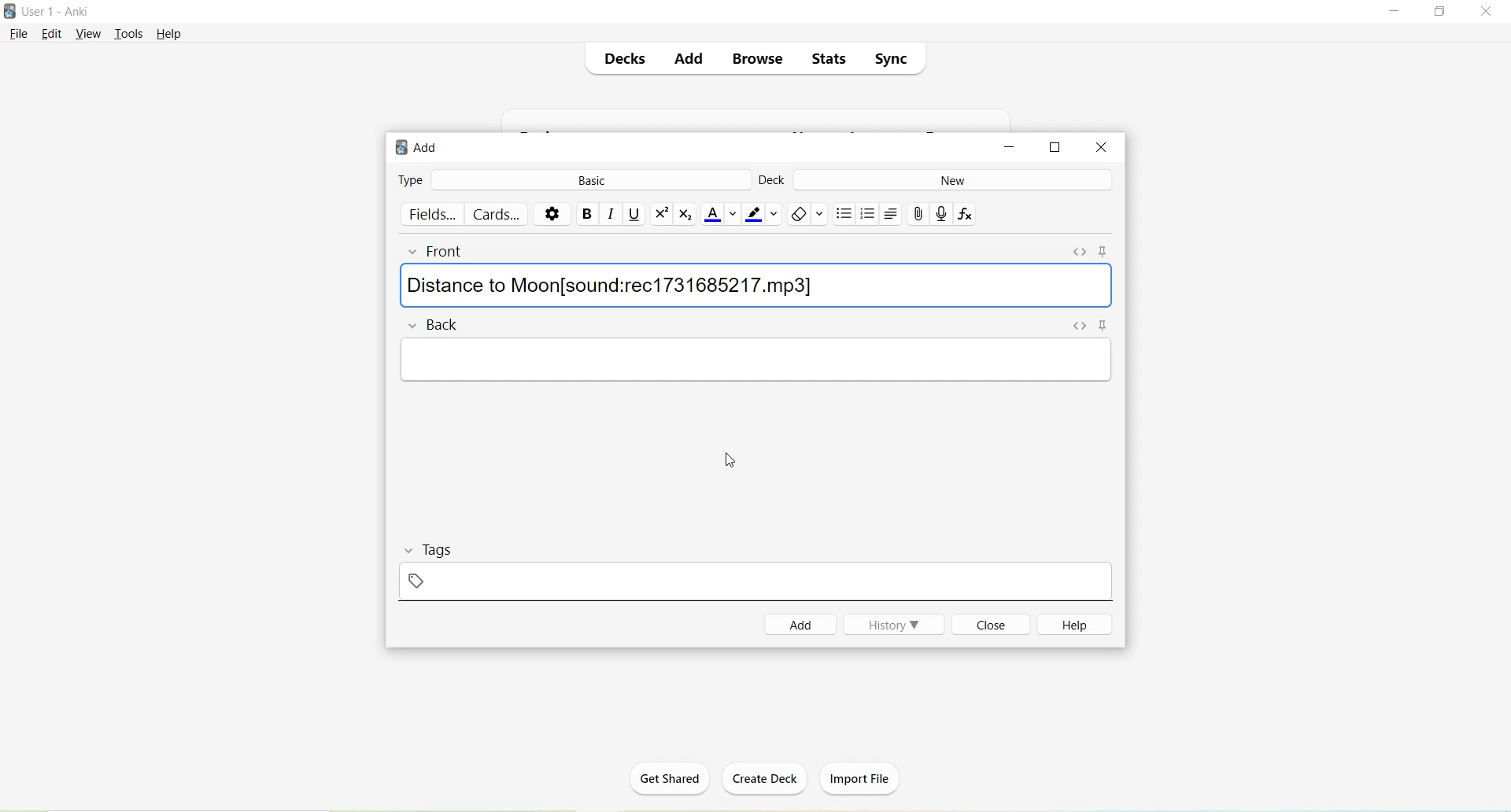  What do you see at coordinates (89, 35) in the screenshot?
I see `View` at bounding box center [89, 35].